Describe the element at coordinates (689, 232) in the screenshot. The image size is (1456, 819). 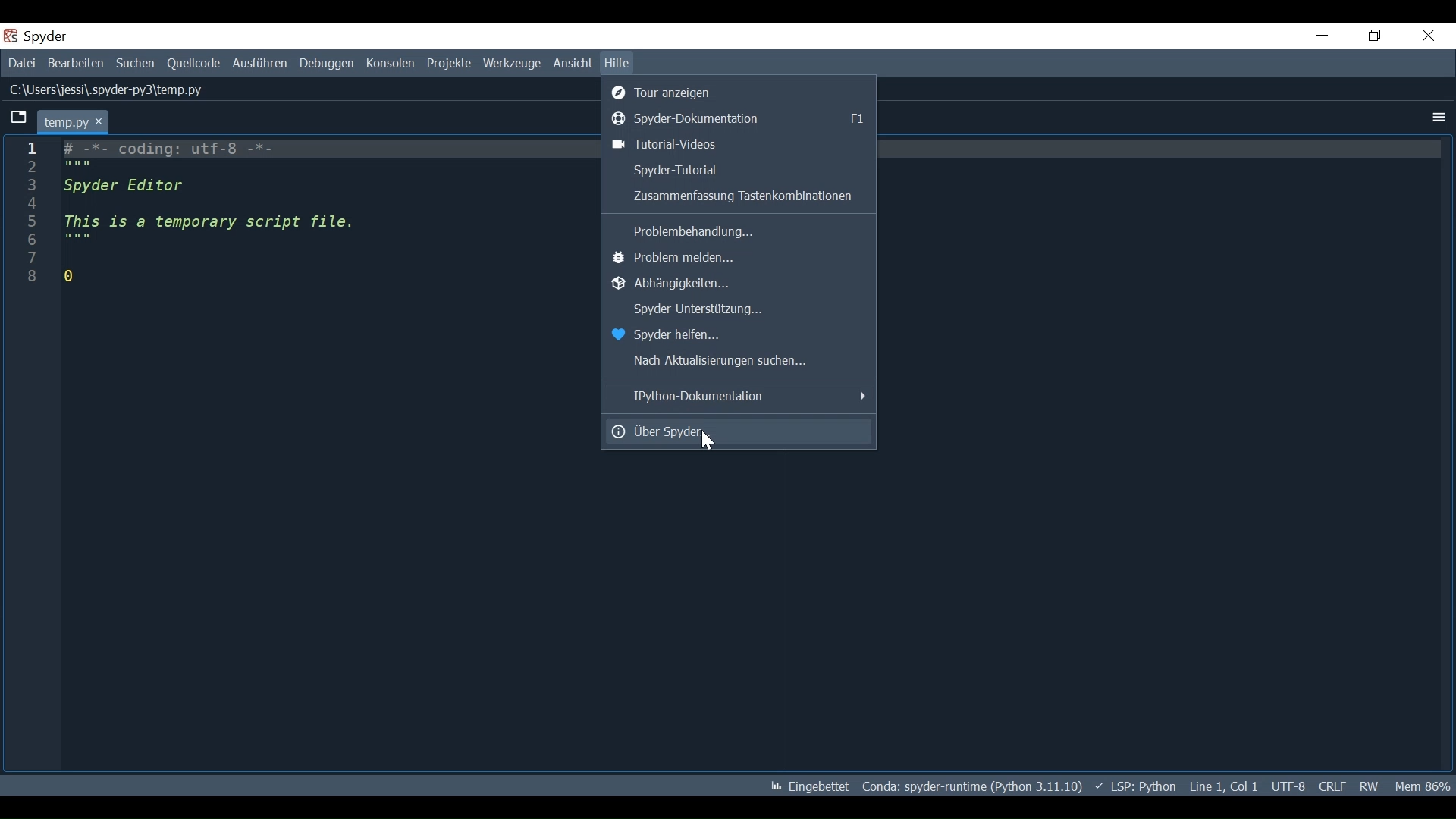
I see `Problembehandlung...` at that location.